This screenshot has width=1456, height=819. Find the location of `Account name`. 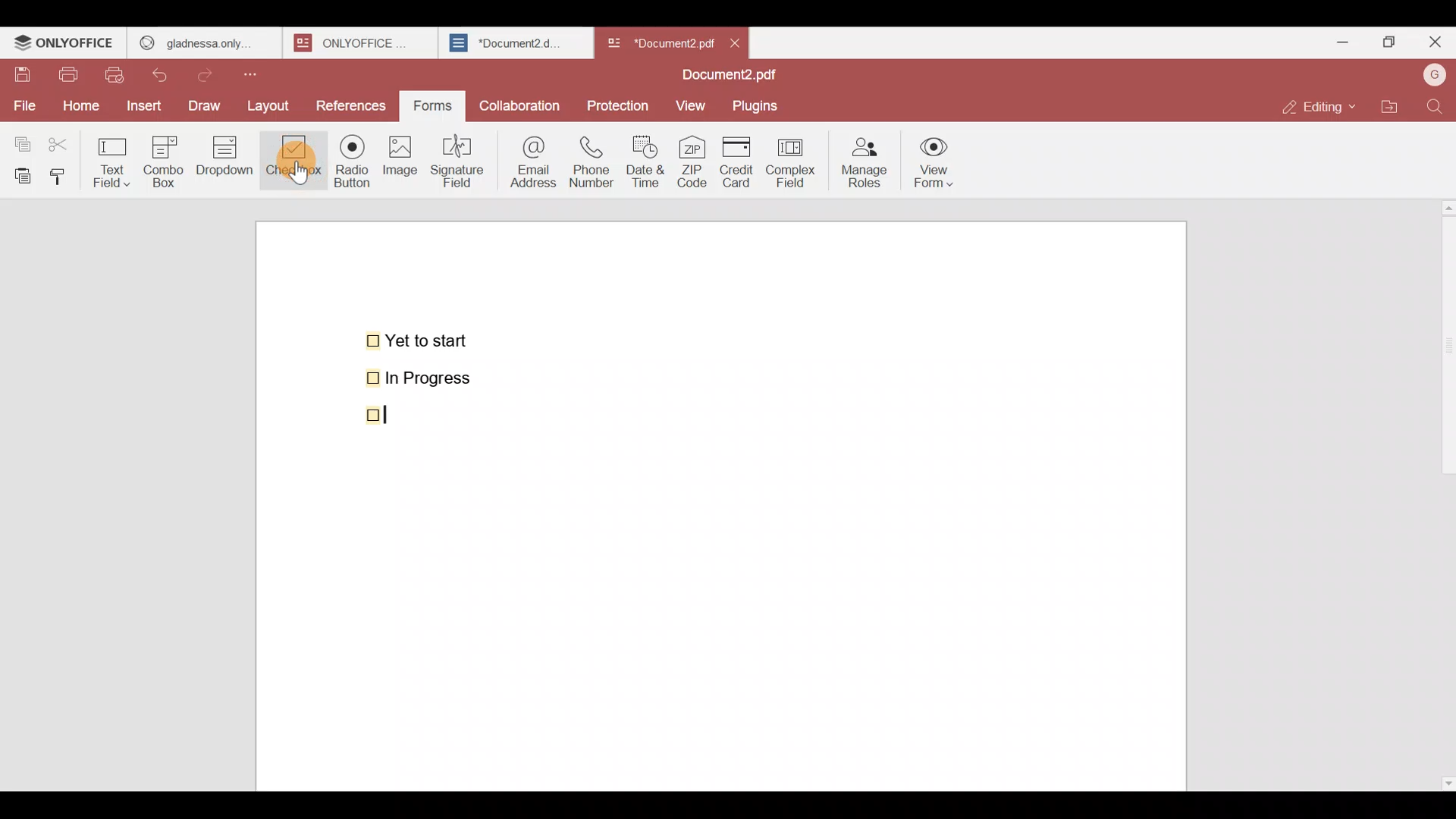

Account name is located at coordinates (1434, 74).